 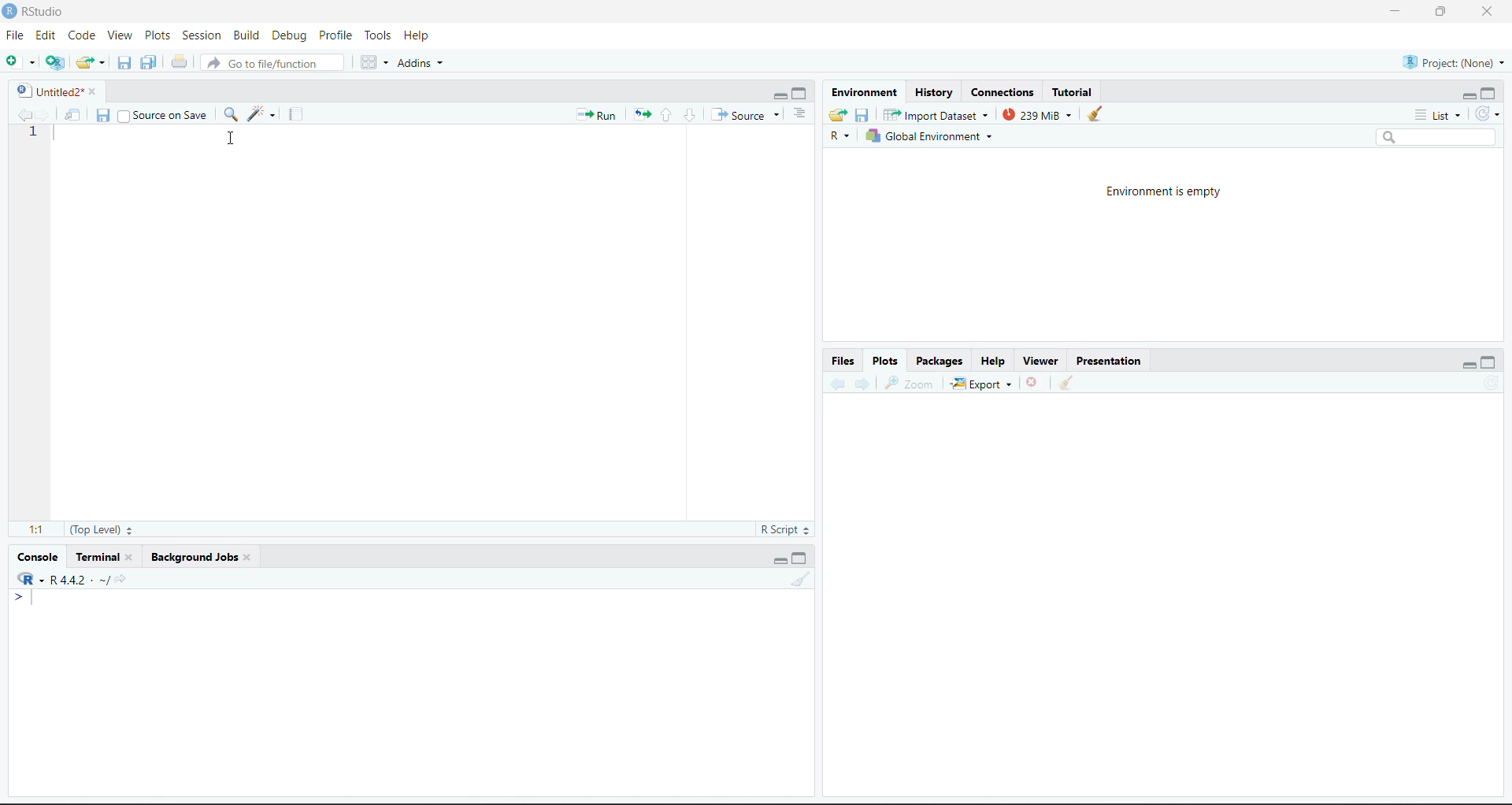 I want to click on Minimize, so click(x=778, y=94).